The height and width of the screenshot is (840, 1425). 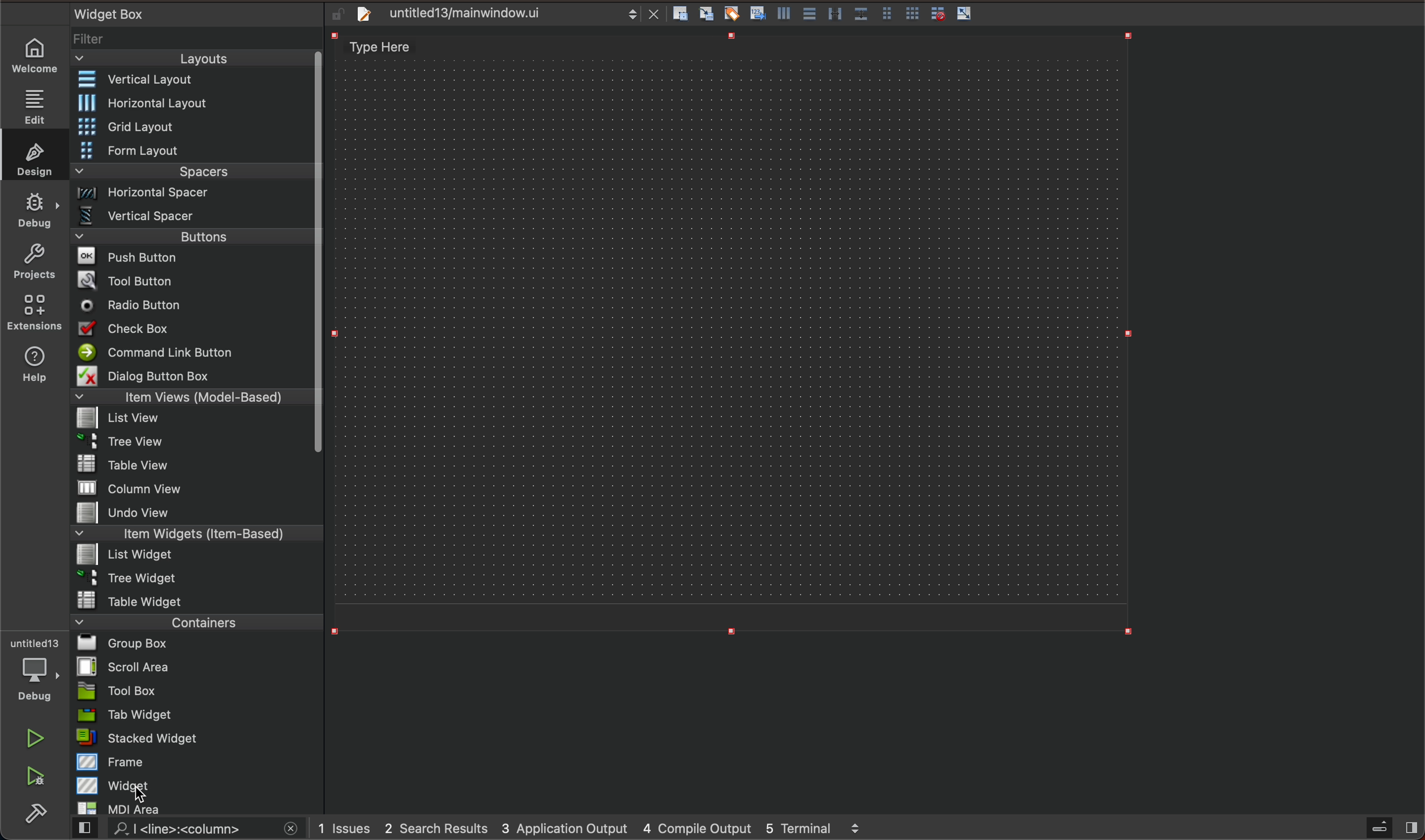 I want to click on dialog button, so click(x=194, y=375).